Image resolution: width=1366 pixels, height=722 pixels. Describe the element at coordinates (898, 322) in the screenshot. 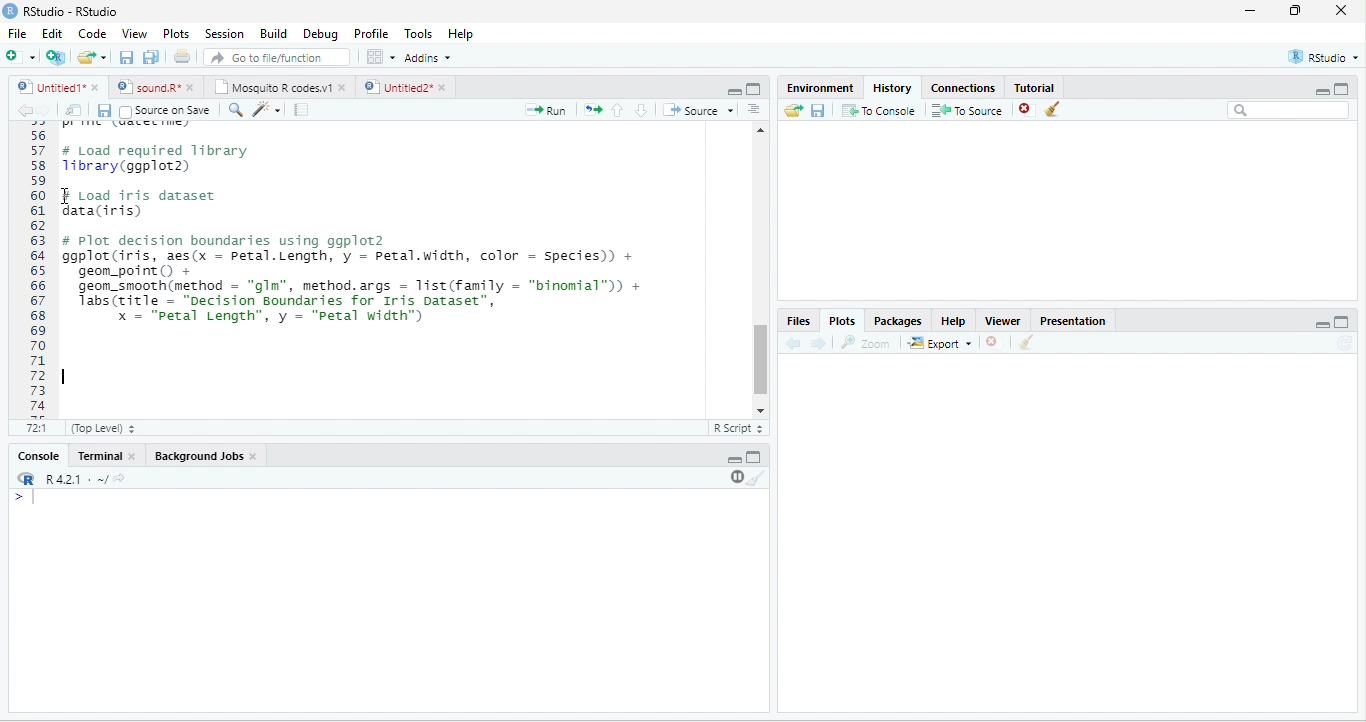

I see `Packages` at that location.